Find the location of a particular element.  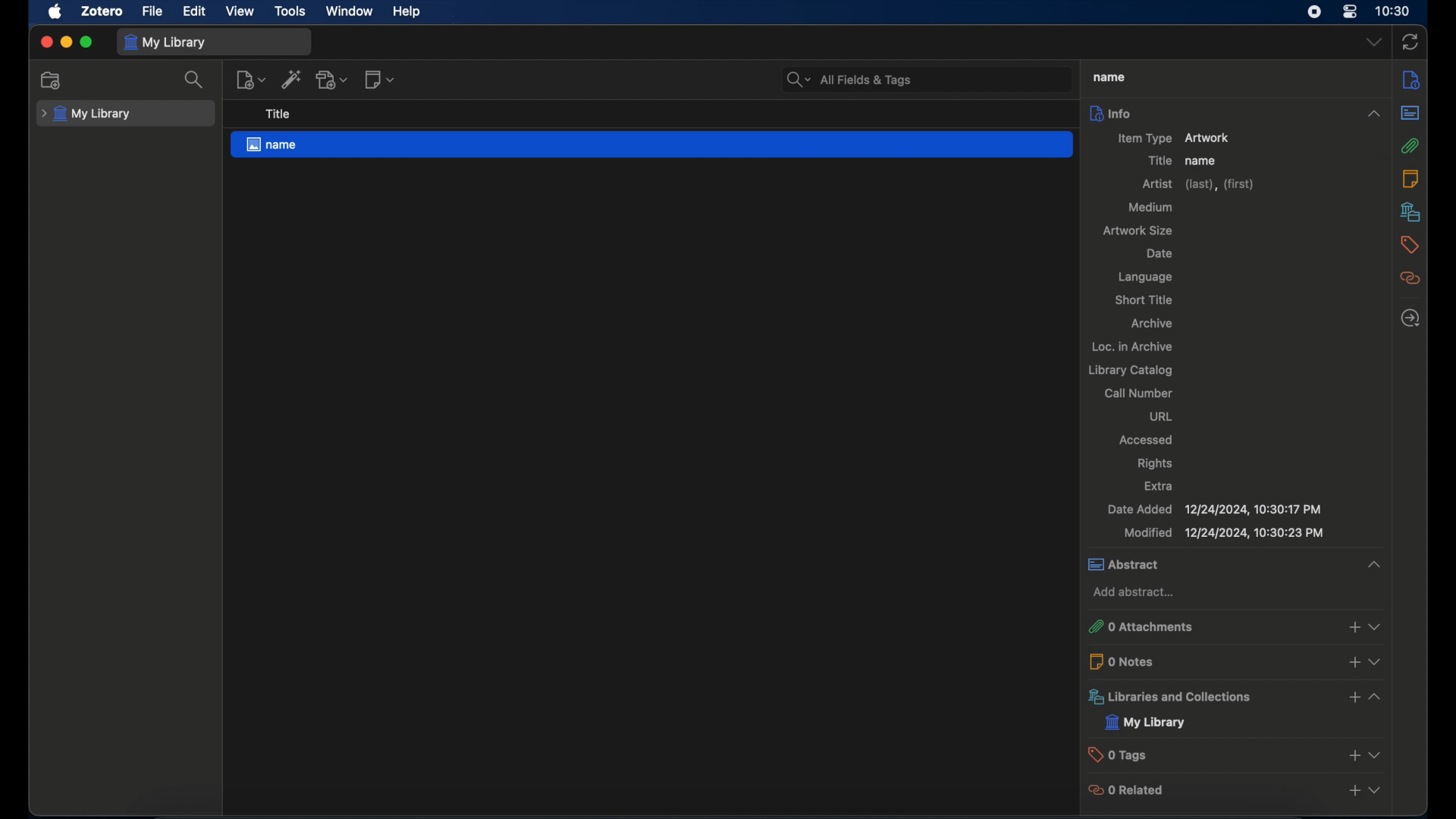

loc. in archive is located at coordinates (1130, 347).